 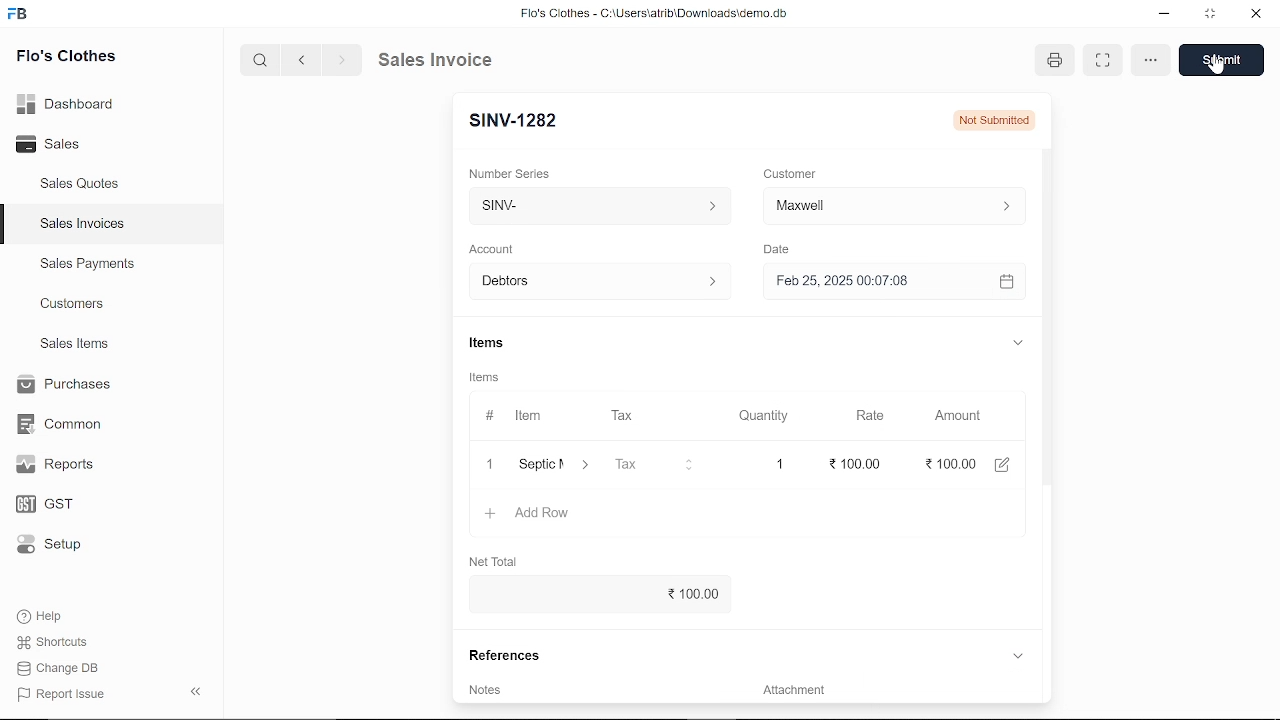 What do you see at coordinates (446, 61) in the screenshot?
I see ` Sales Invoice` at bounding box center [446, 61].